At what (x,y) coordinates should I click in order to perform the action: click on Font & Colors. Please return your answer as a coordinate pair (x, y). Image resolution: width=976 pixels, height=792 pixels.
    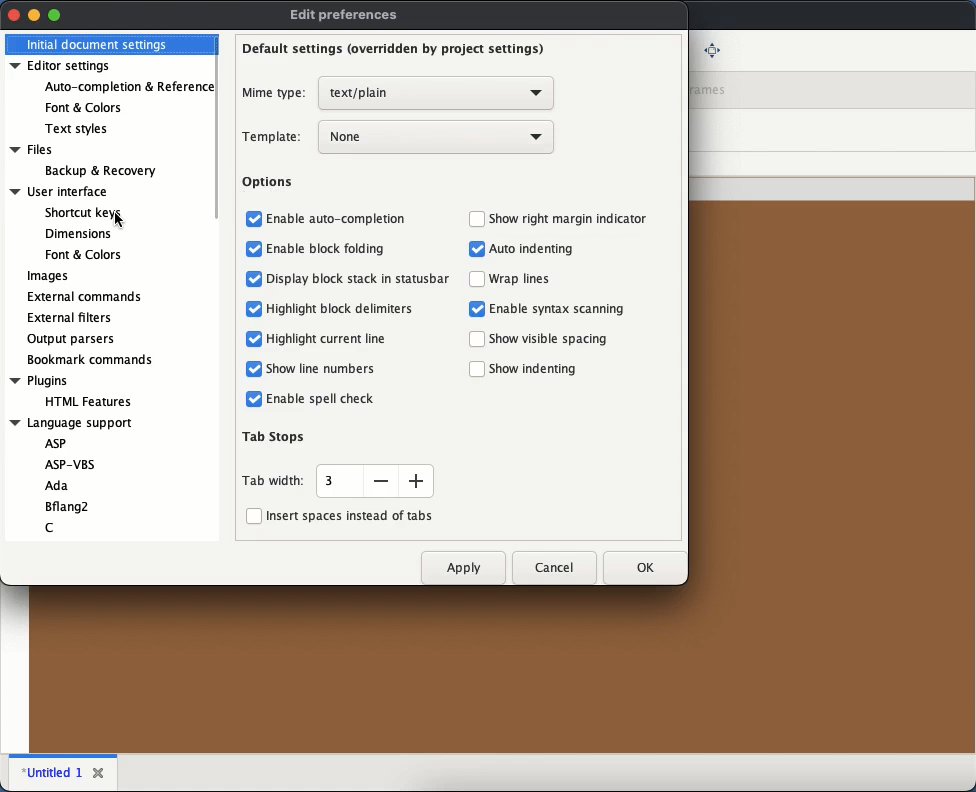
    Looking at the image, I should click on (85, 108).